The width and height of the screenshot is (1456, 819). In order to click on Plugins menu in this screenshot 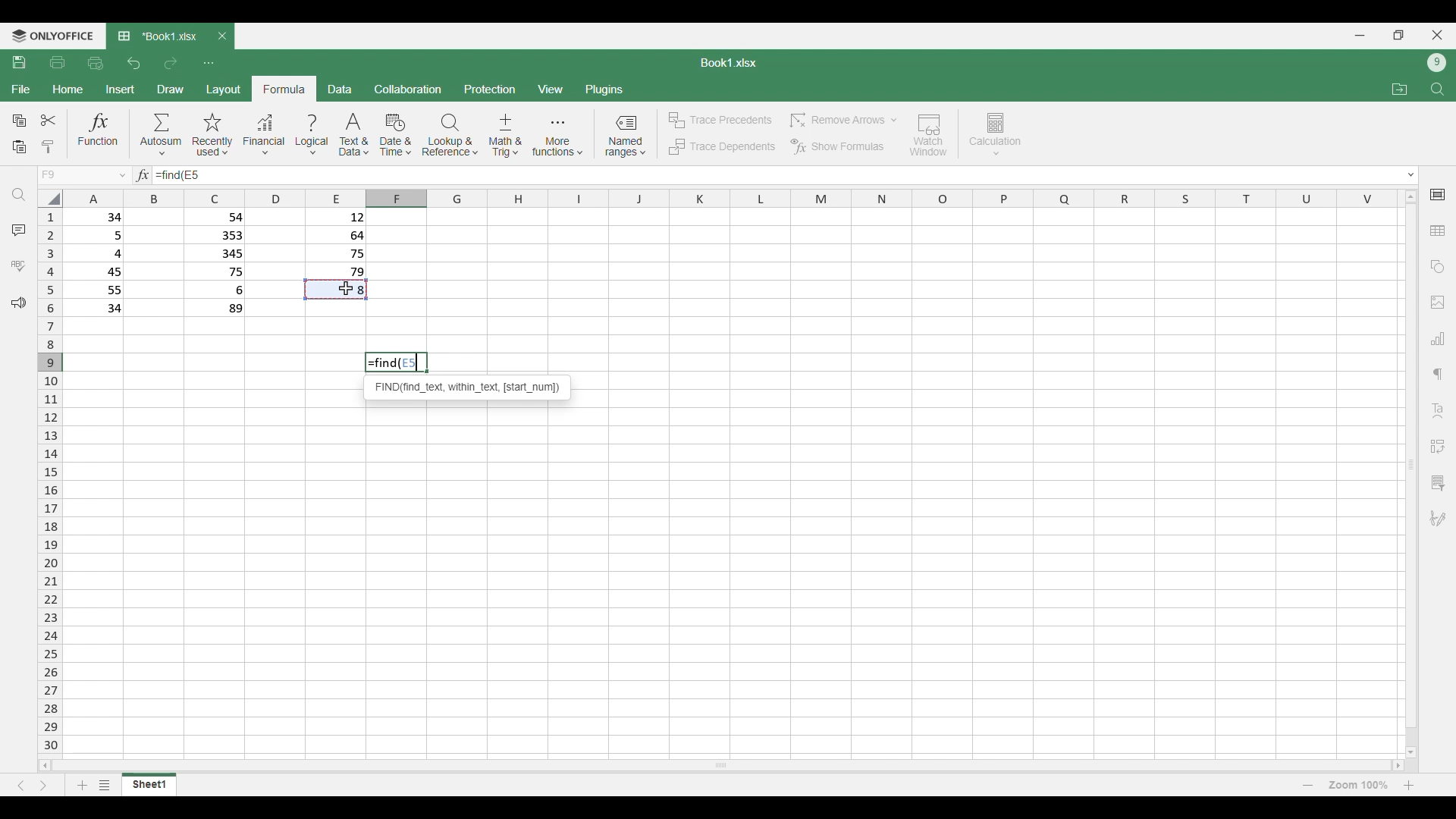, I will do `click(604, 89)`.